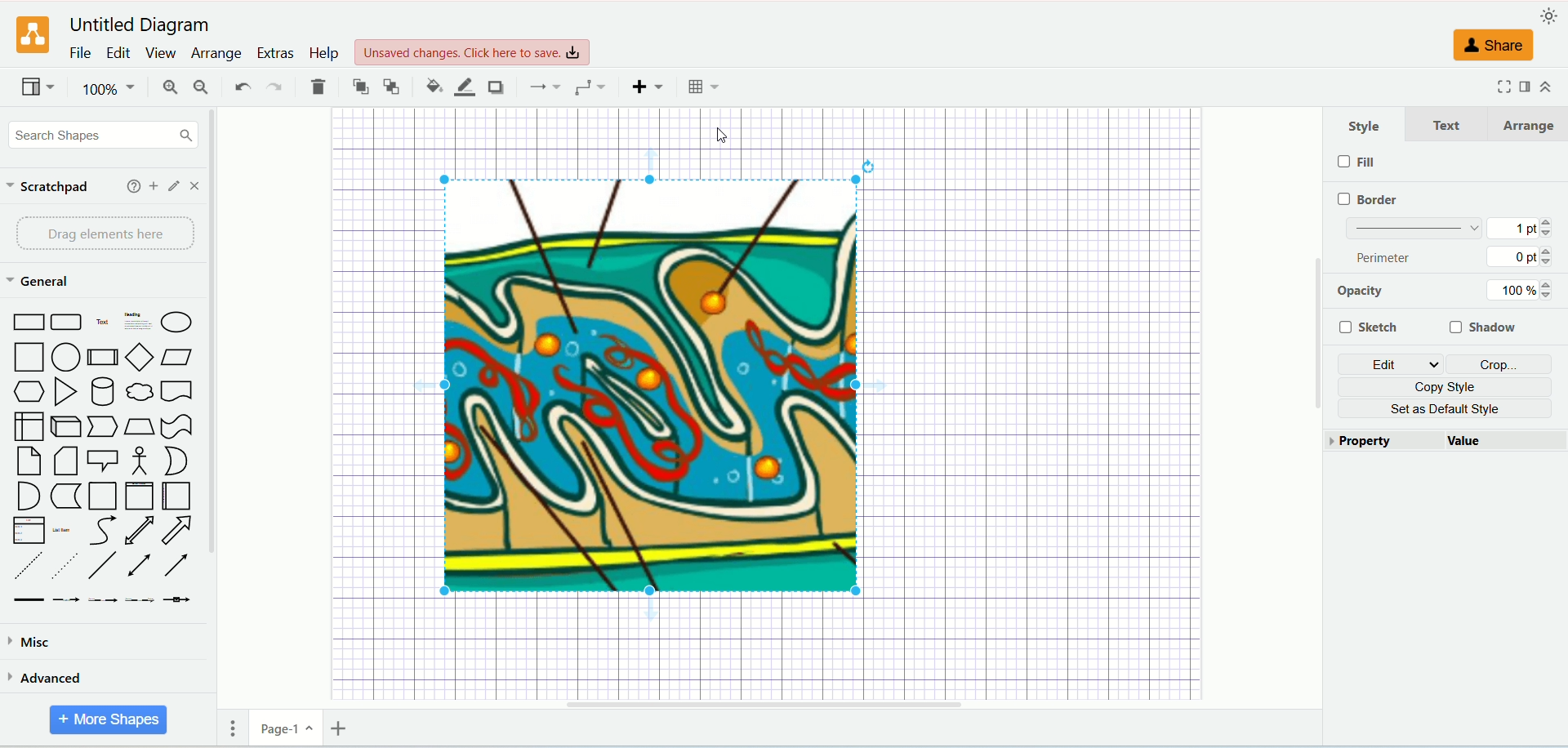  I want to click on set as default, so click(1449, 408).